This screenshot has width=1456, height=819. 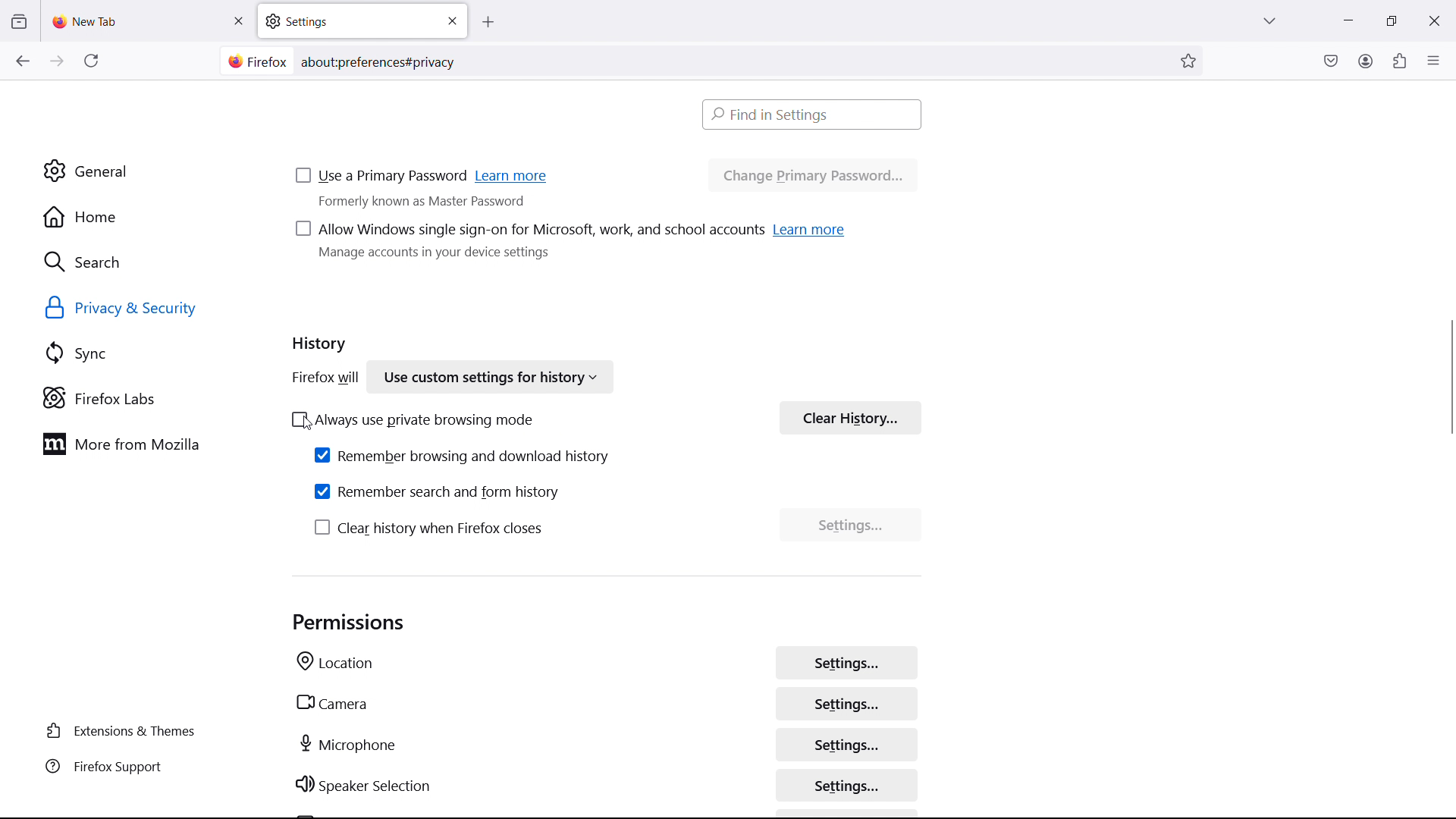 I want to click on extensions, so click(x=1398, y=61).